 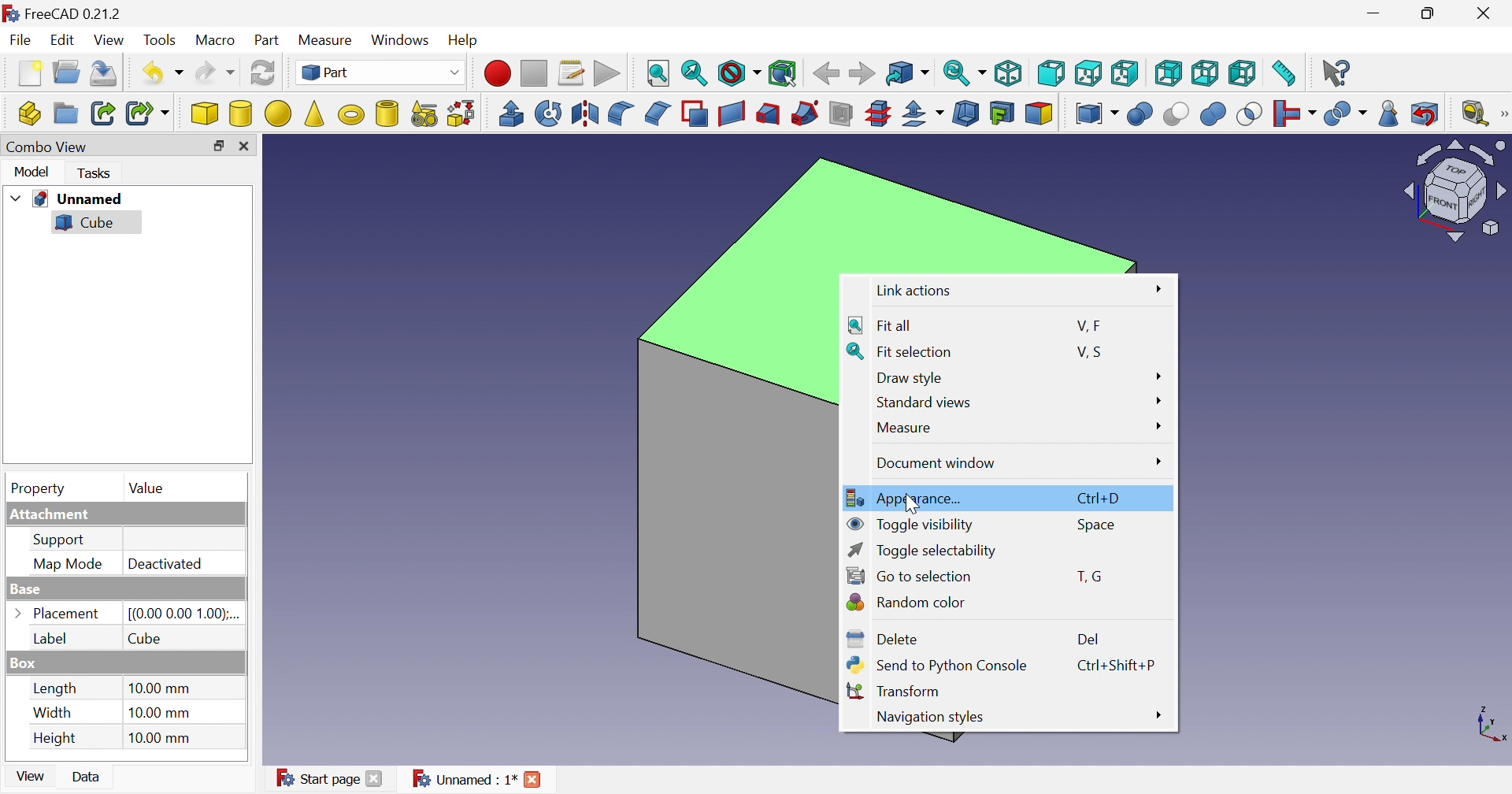 I want to click on Save, so click(x=108, y=73).